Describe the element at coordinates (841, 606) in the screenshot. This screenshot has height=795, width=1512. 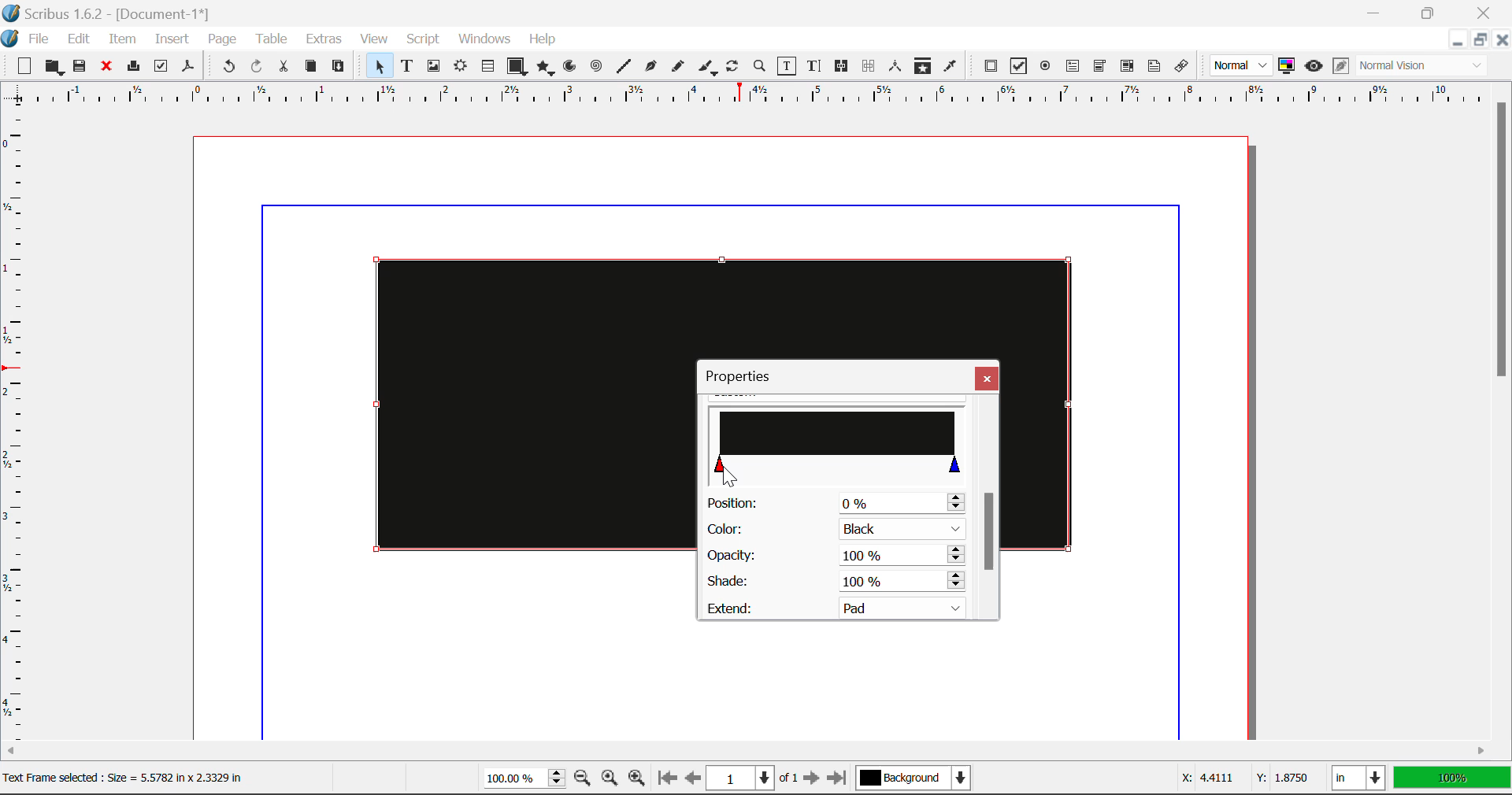
I see `Extend` at that location.